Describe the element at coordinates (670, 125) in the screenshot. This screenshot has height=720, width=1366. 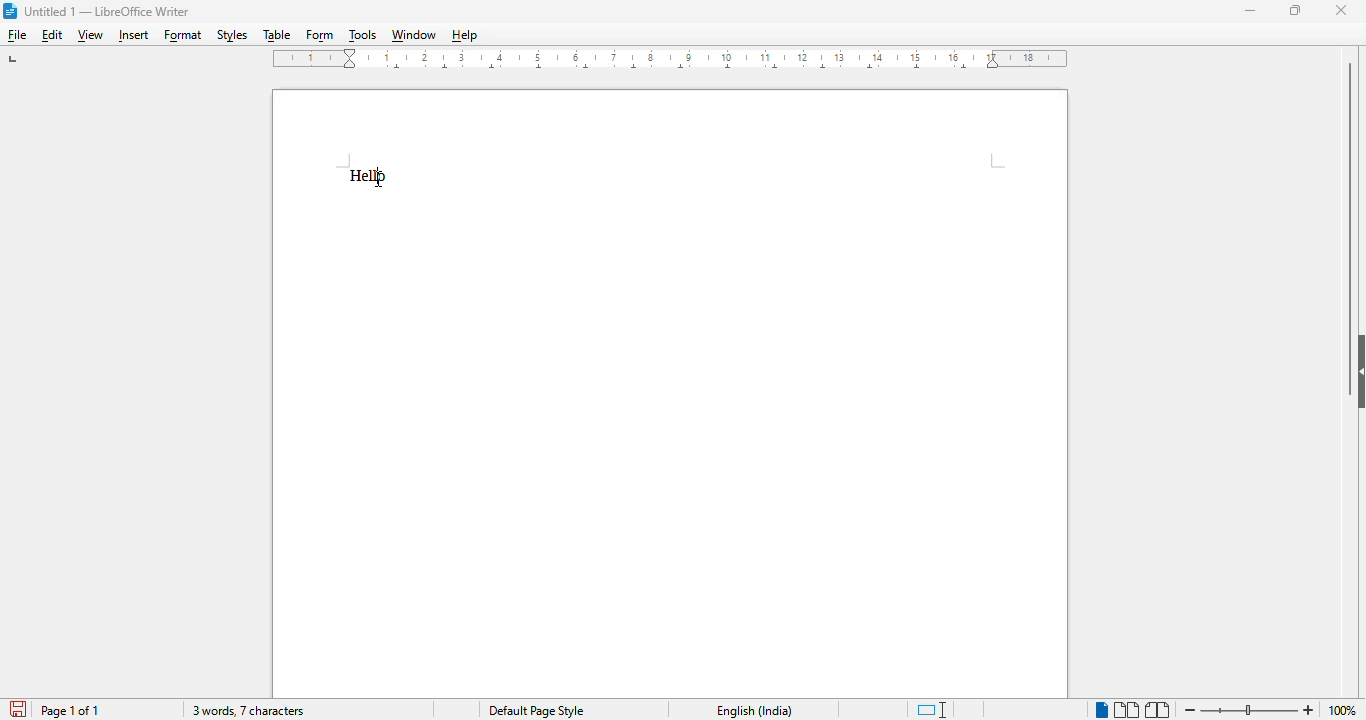
I see `workspace` at that location.